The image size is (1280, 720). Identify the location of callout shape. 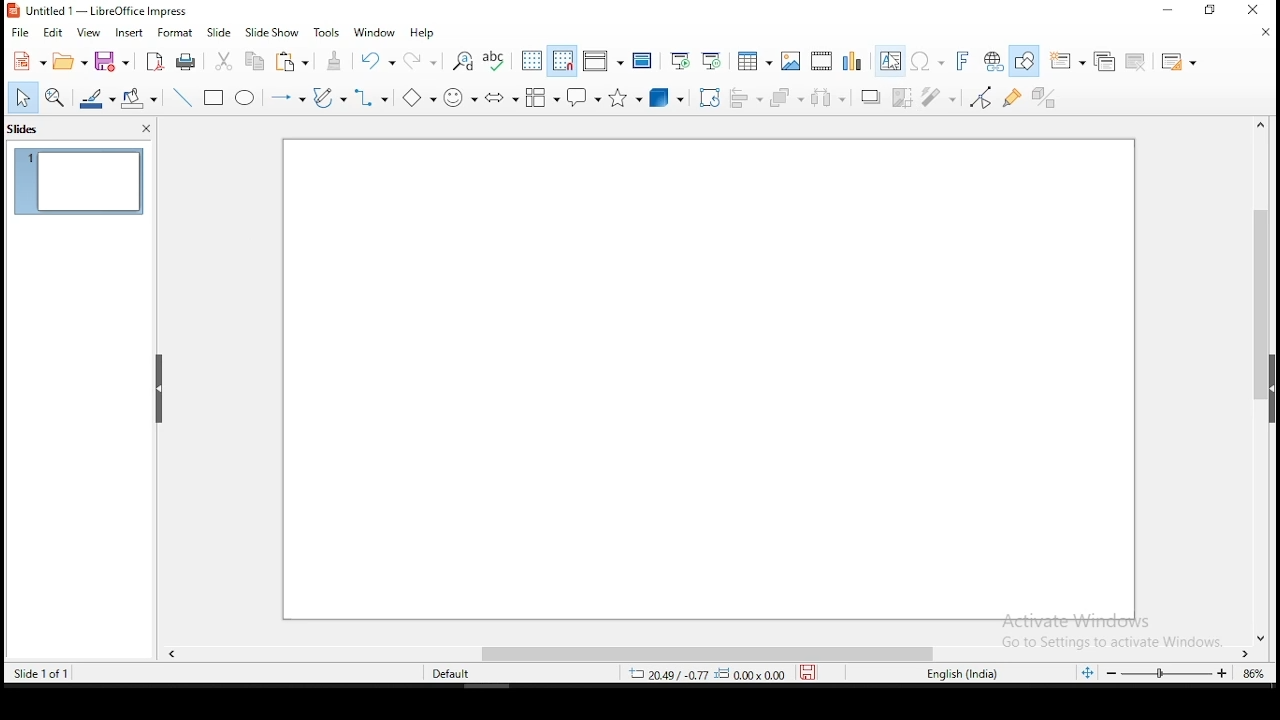
(586, 97).